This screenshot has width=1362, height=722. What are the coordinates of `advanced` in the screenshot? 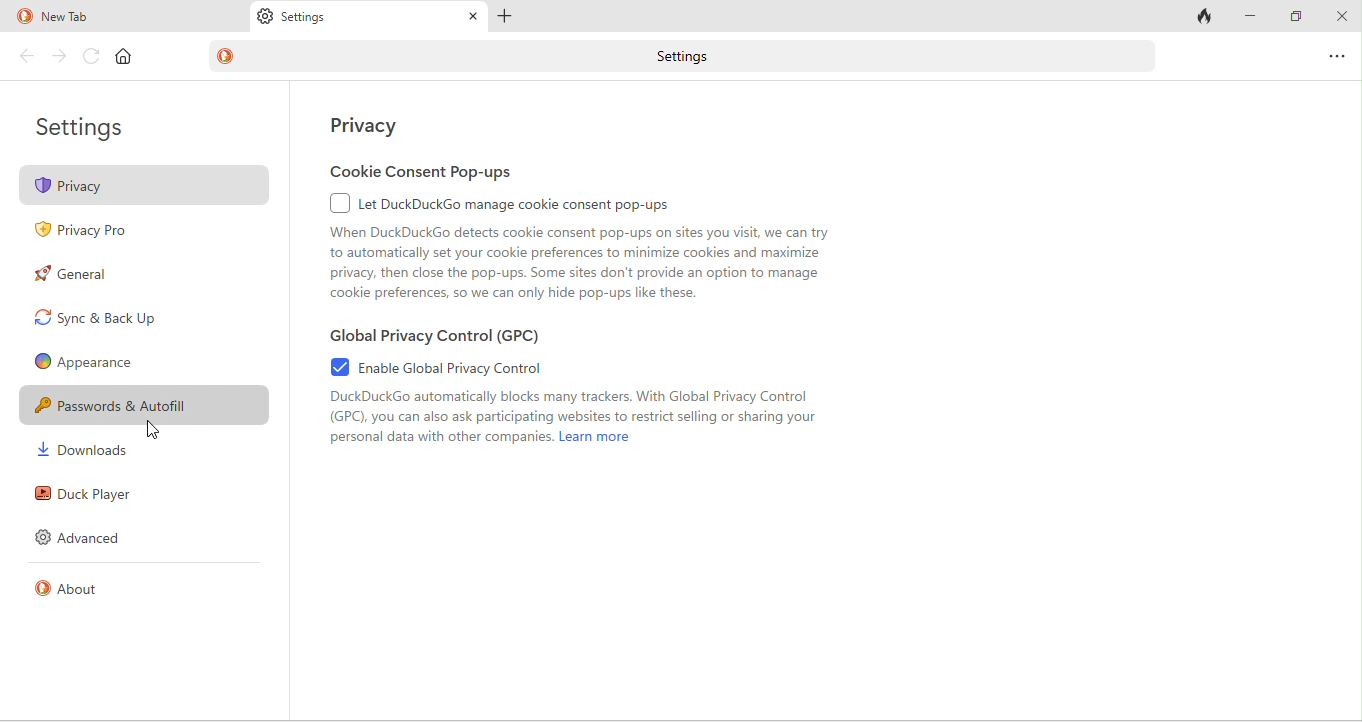 It's located at (88, 540).